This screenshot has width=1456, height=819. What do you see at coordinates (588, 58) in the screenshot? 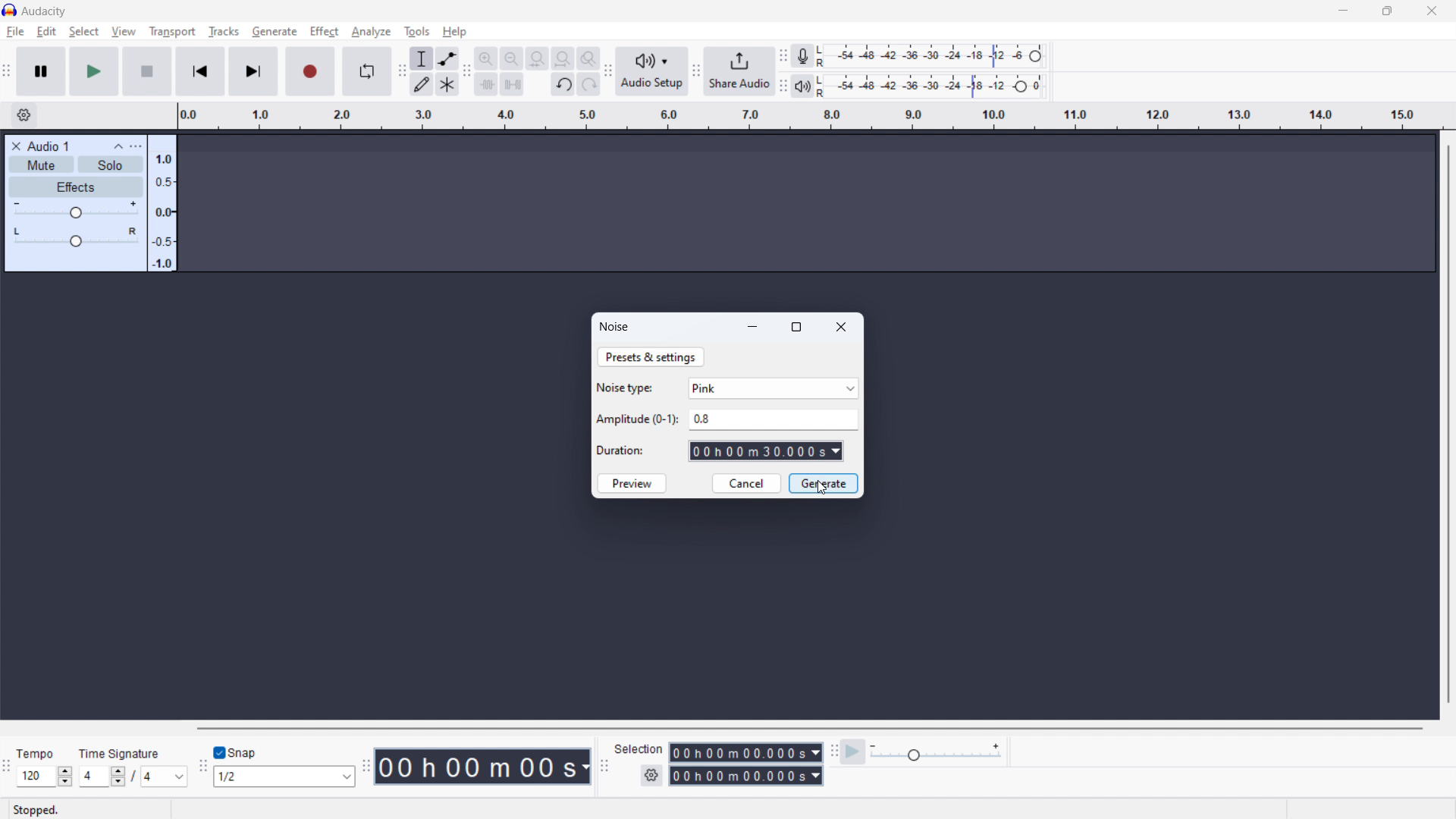
I see `toggle zoom` at bounding box center [588, 58].